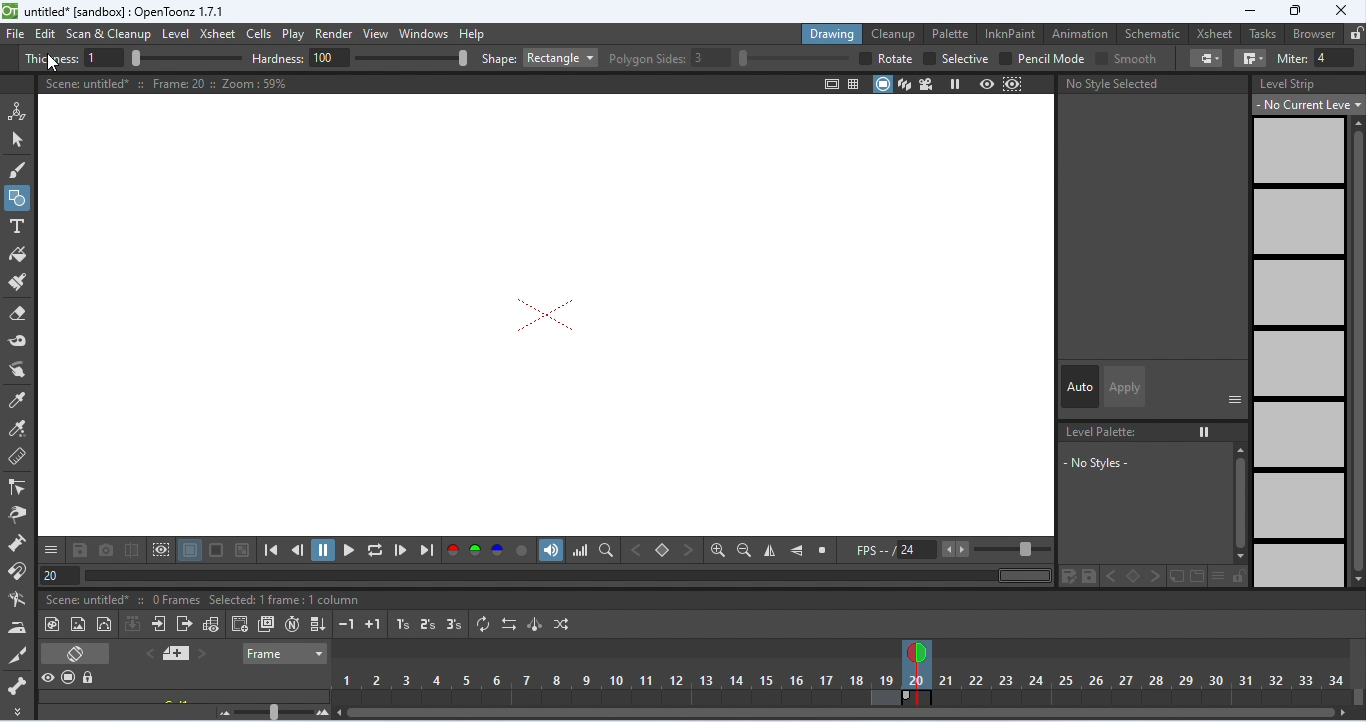 The height and width of the screenshot is (722, 1366). I want to click on sound track, so click(550, 550).